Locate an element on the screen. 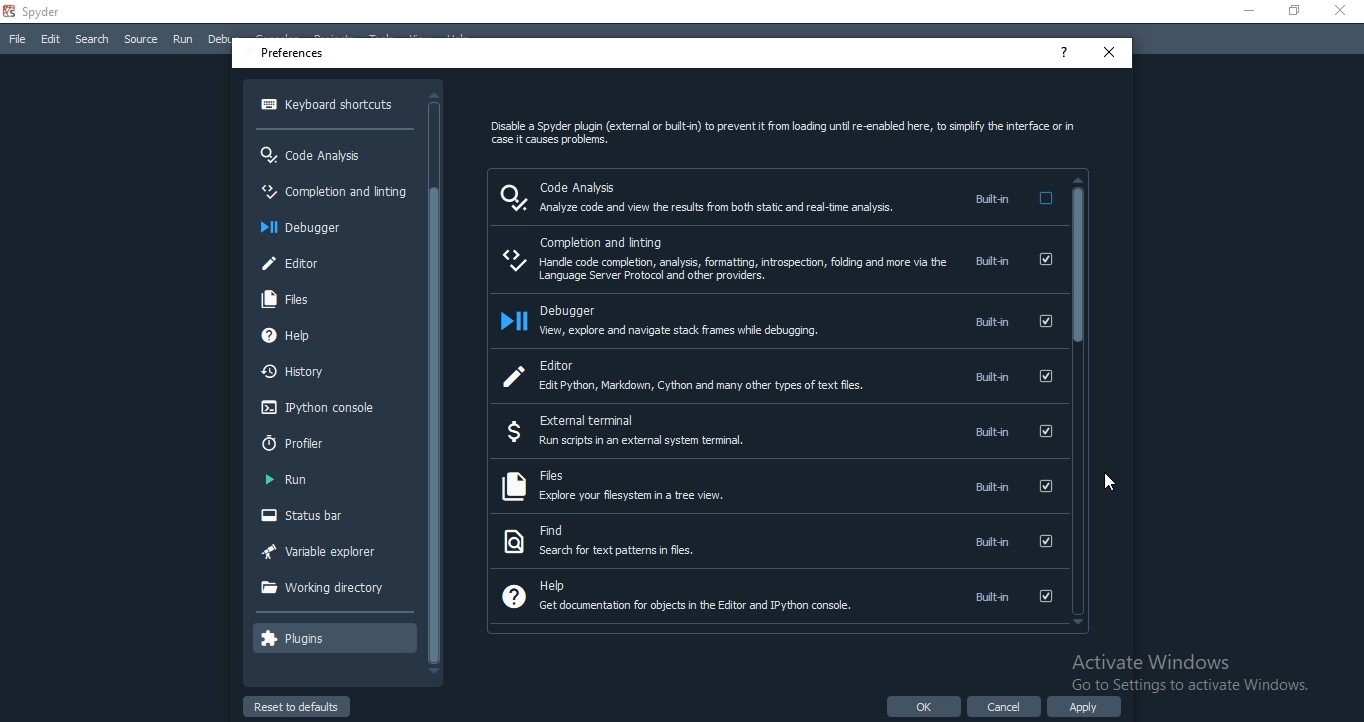 The image size is (1364, 722). Search is located at coordinates (93, 39).